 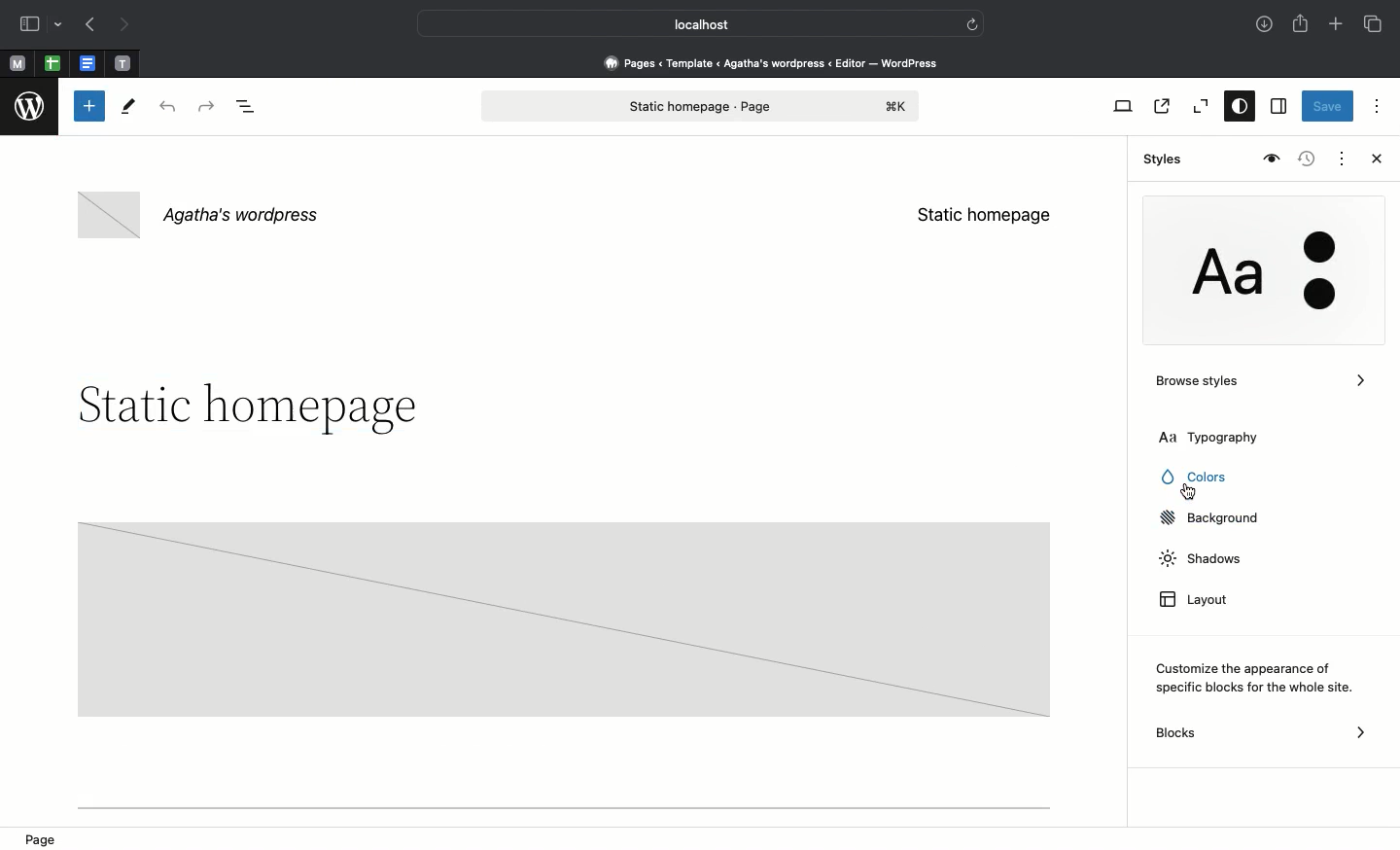 What do you see at coordinates (1340, 157) in the screenshot?
I see `Actions` at bounding box center [1340, 157].